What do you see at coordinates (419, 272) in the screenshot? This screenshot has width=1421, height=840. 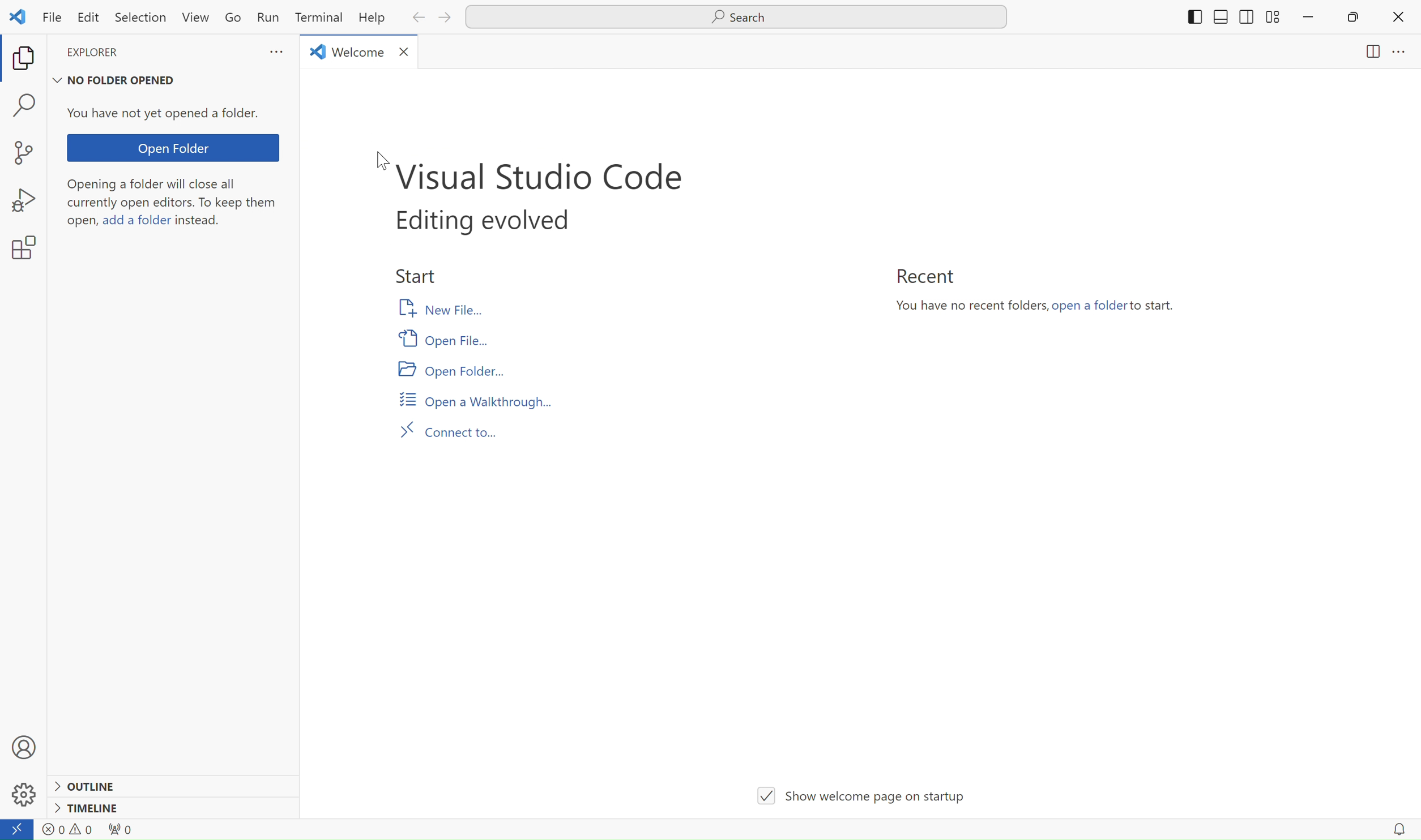 I see `start` at bounding box center [419, 272].